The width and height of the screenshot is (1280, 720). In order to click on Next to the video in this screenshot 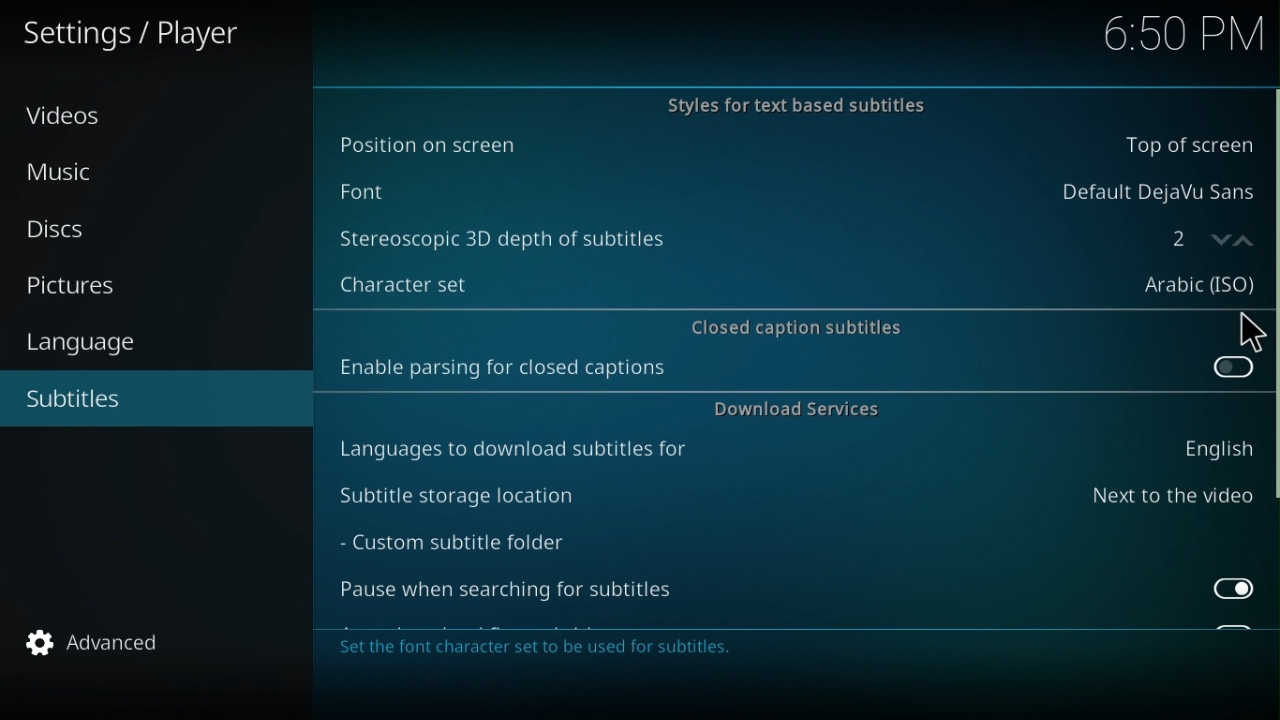, I will do `click(1170, 497)`.